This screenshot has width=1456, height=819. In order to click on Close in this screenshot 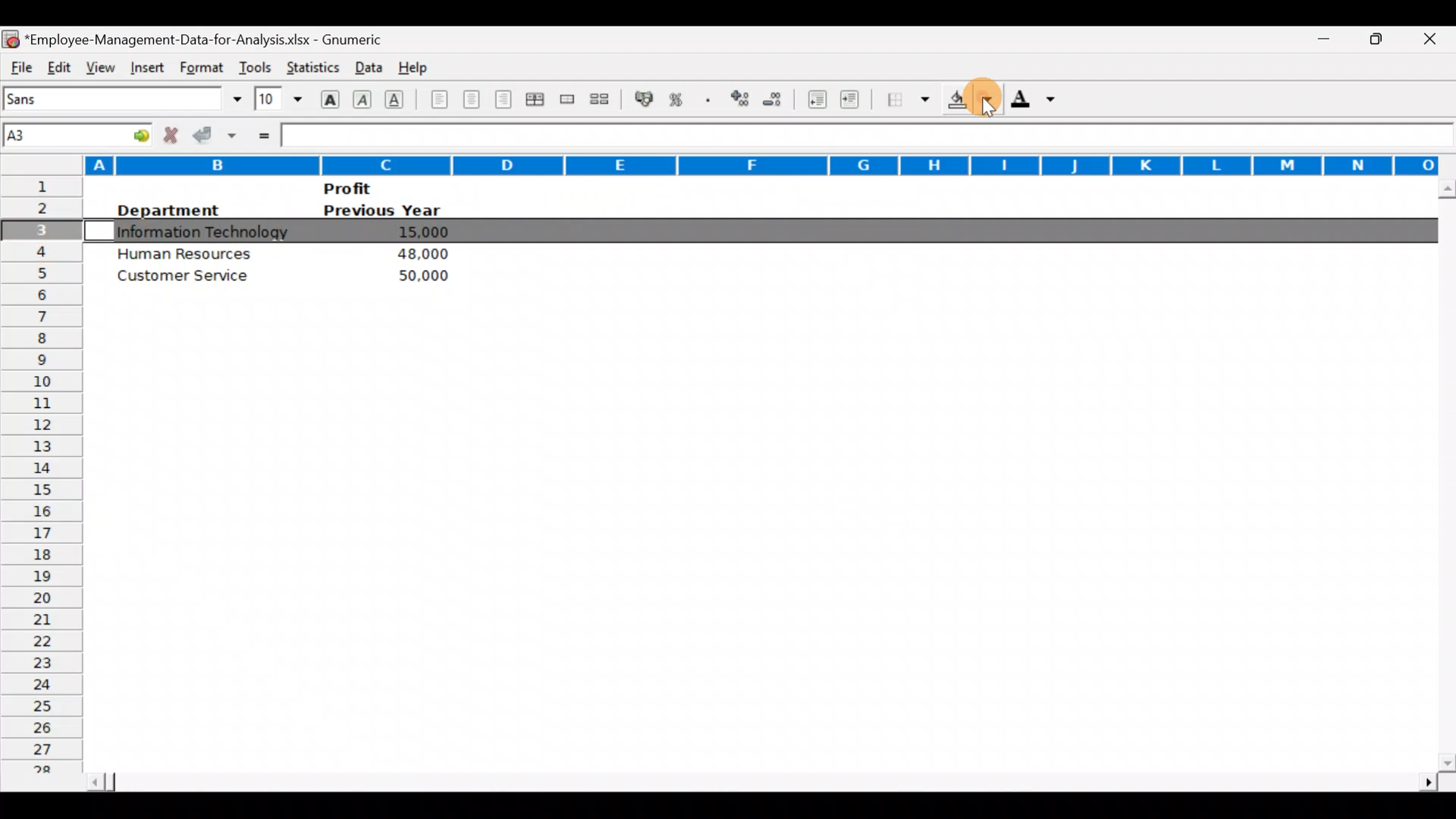, I will do `click(1435, 40)`.